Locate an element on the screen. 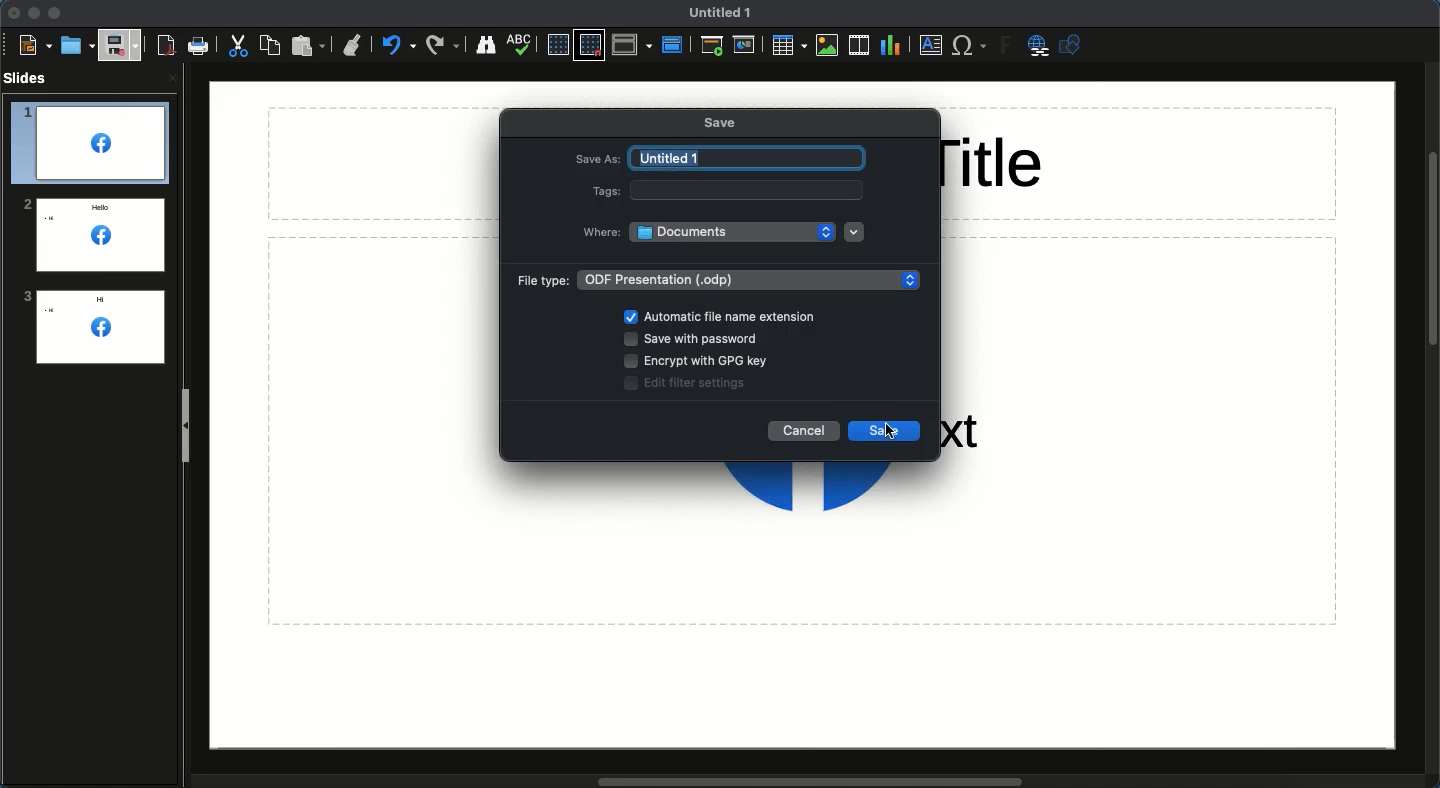 The height and width of the screenshot is (788, 1440). Chart is located at coordinates (888, 47).